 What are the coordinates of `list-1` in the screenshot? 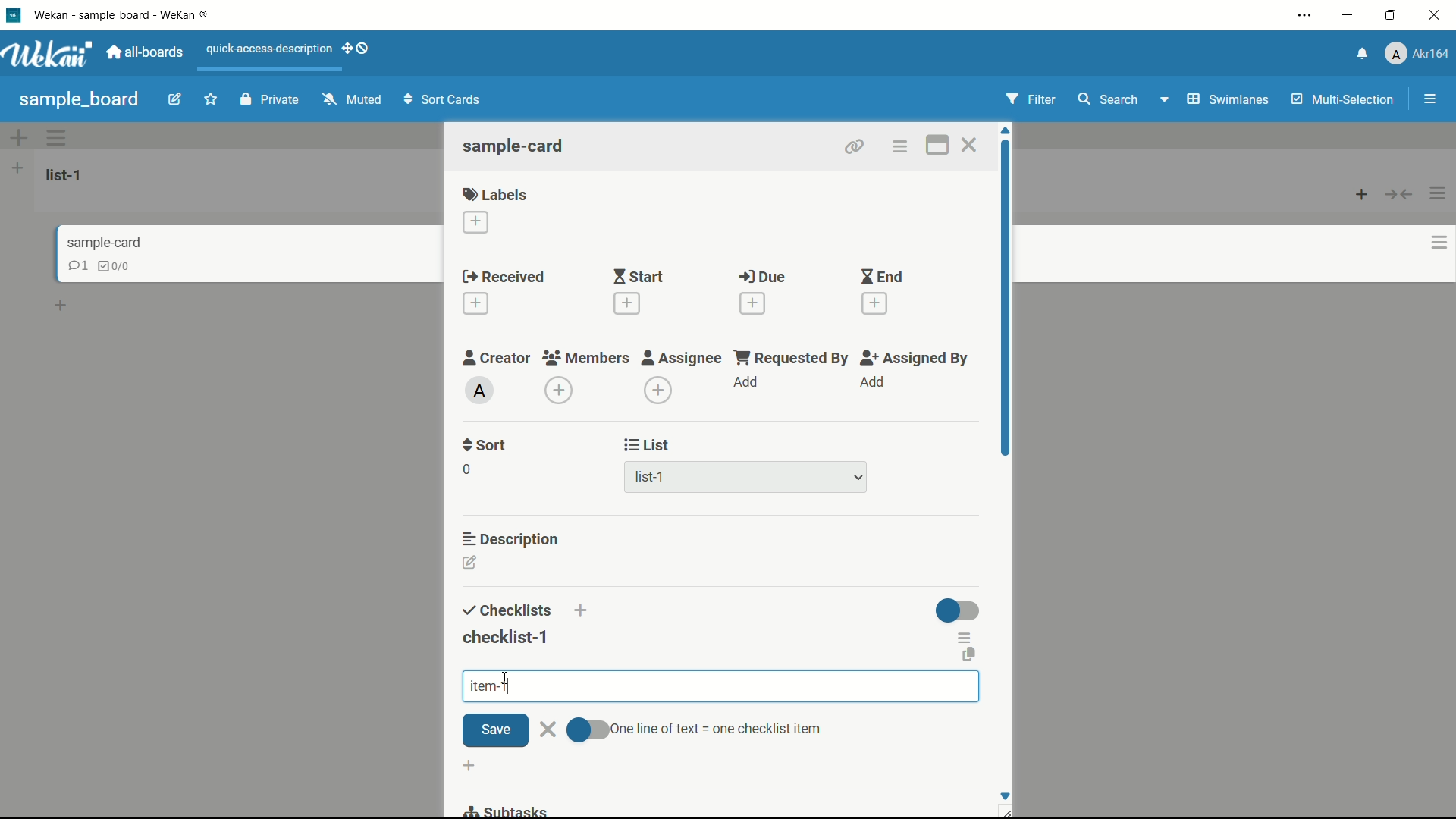 It's located at (67, 172).